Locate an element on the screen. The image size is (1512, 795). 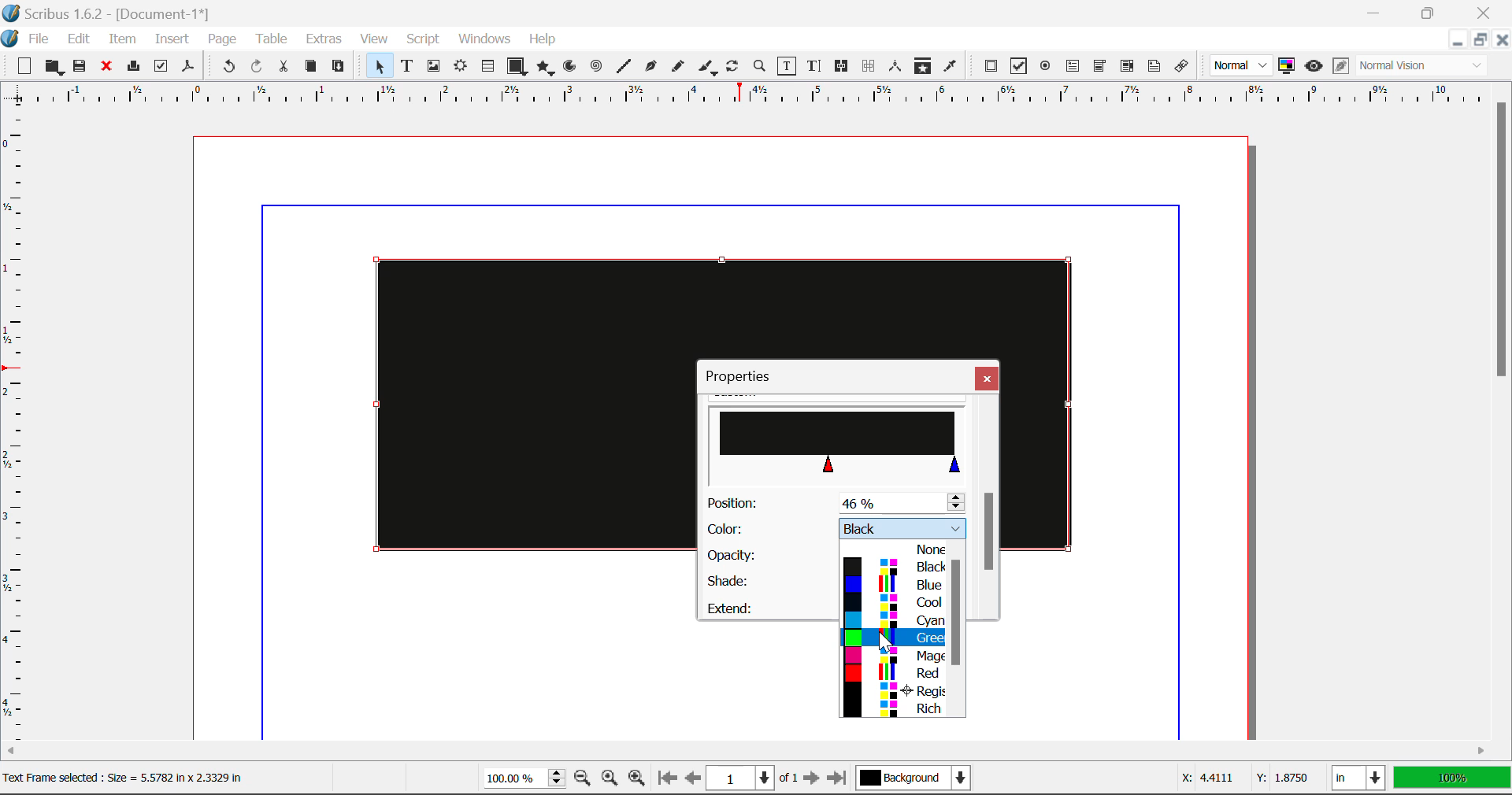
Freehand is located at coordinates (679, 70).